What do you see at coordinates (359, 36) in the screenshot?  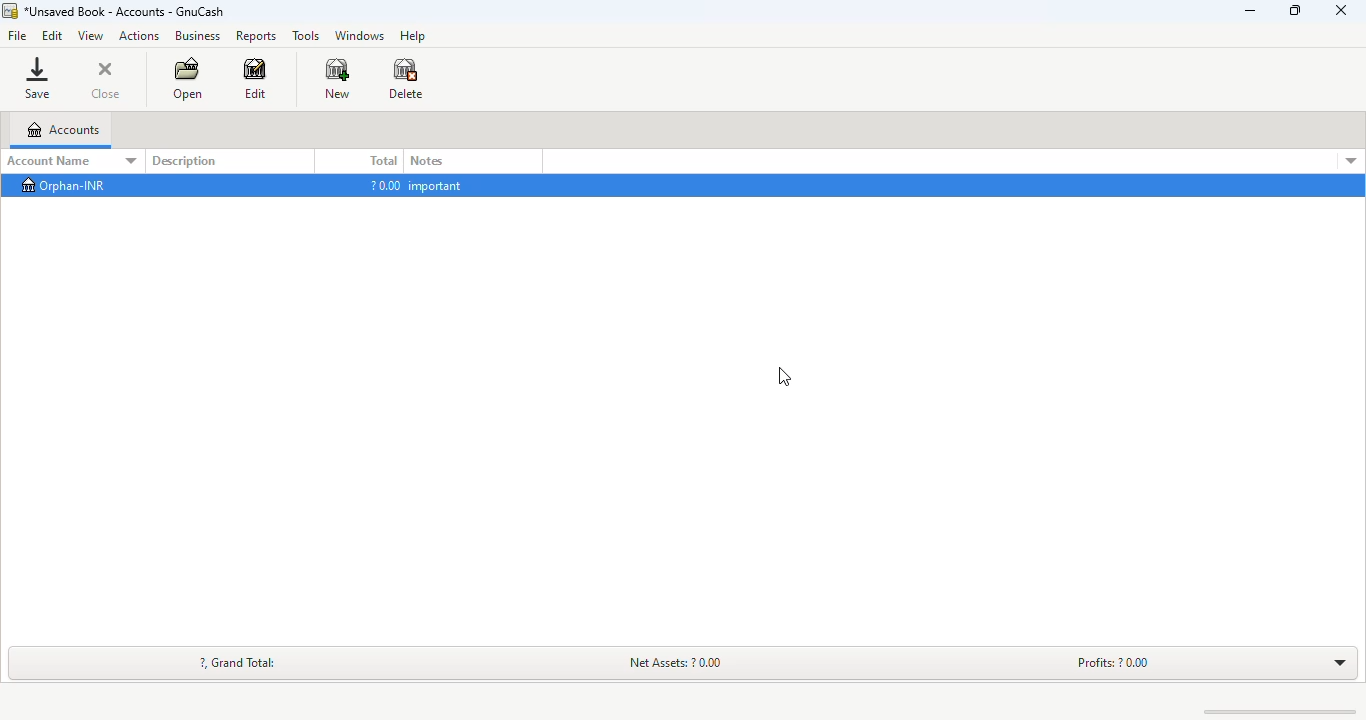 I see `windows` at bounding box center [359, 36].